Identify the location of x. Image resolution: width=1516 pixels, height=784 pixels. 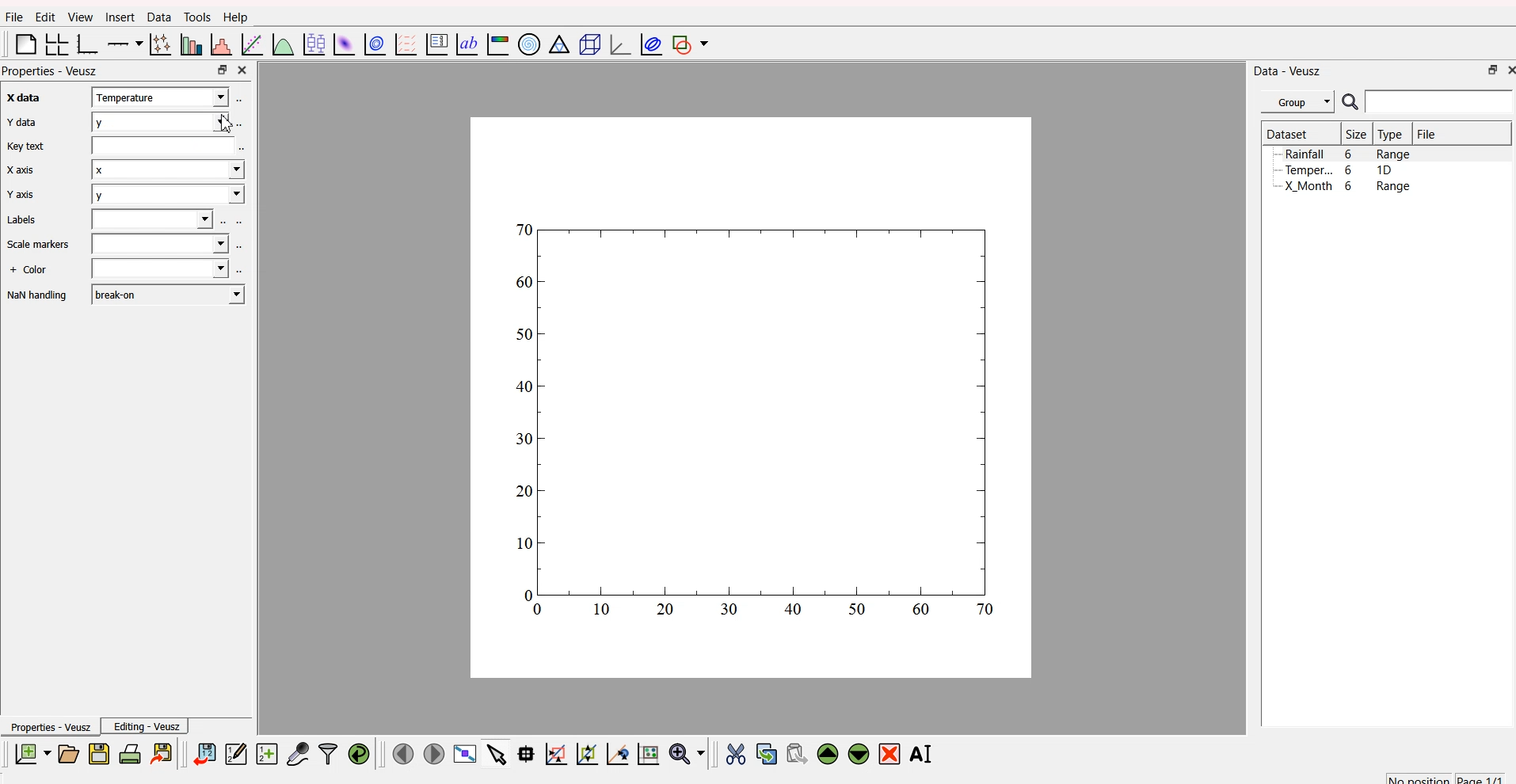
(162, 97).